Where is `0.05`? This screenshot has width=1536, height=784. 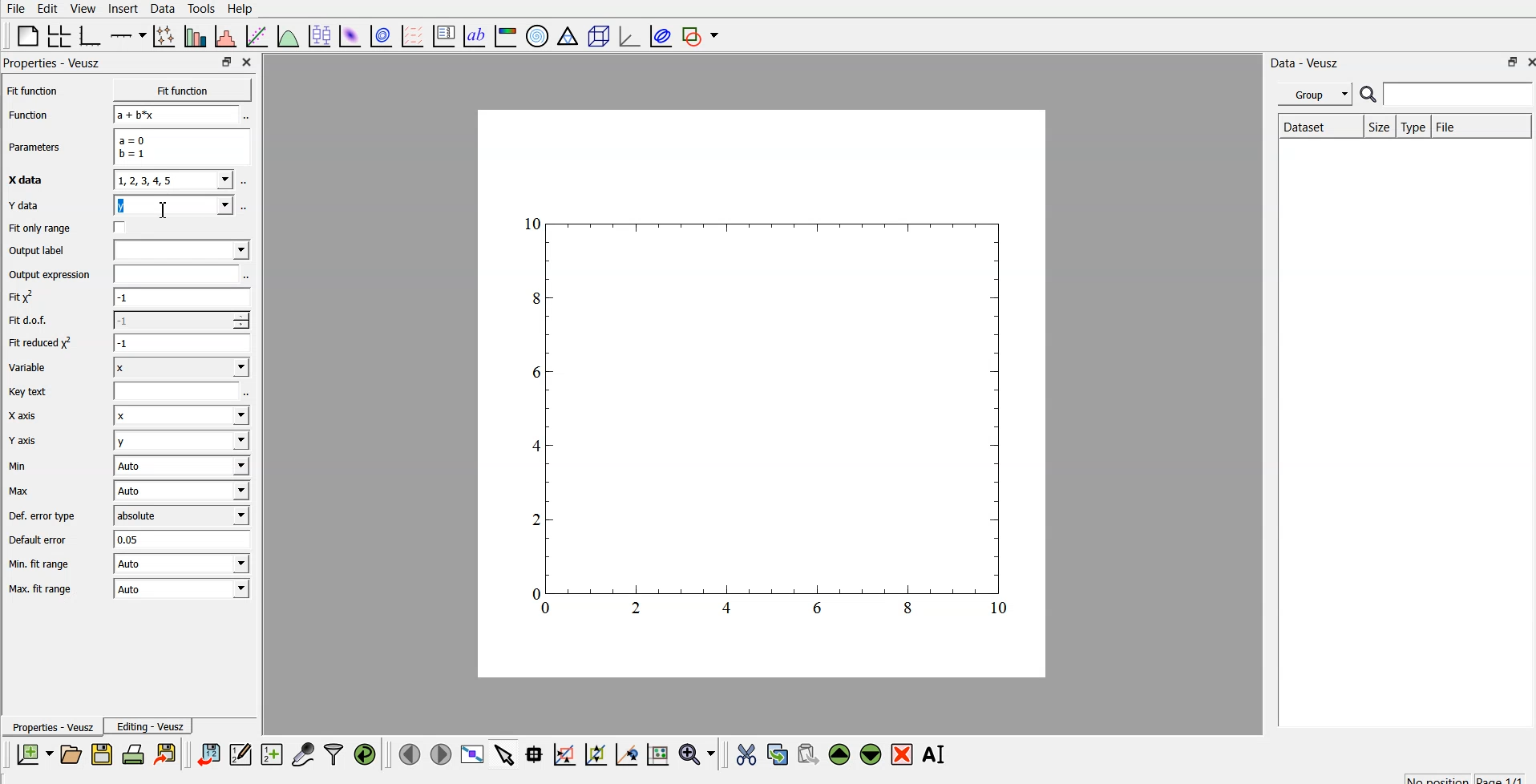 0.05 is located at coordinates (180, 540).